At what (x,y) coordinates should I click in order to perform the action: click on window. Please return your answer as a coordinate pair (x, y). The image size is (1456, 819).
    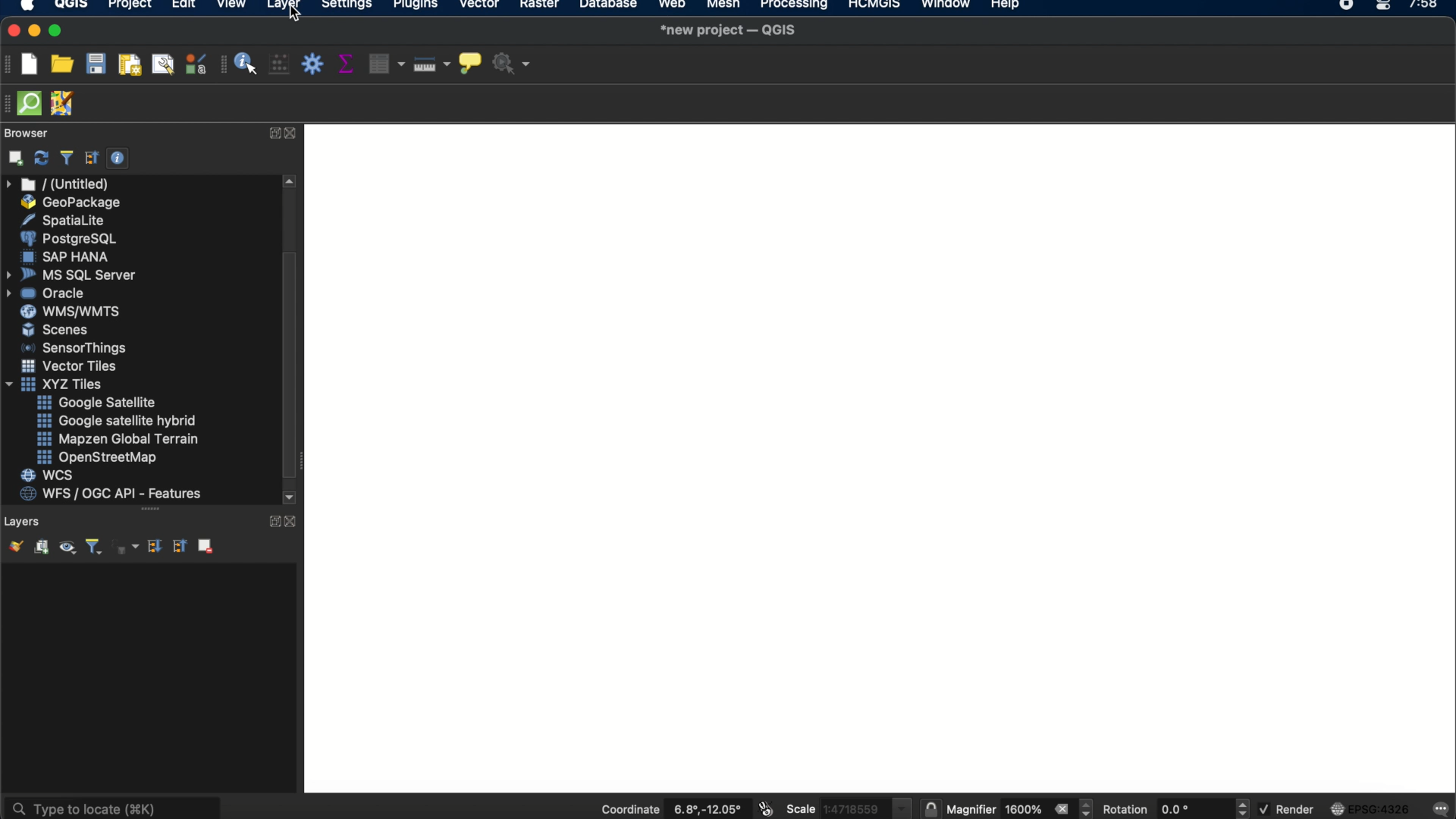
    Looking at the image, I should click on (949, 6).